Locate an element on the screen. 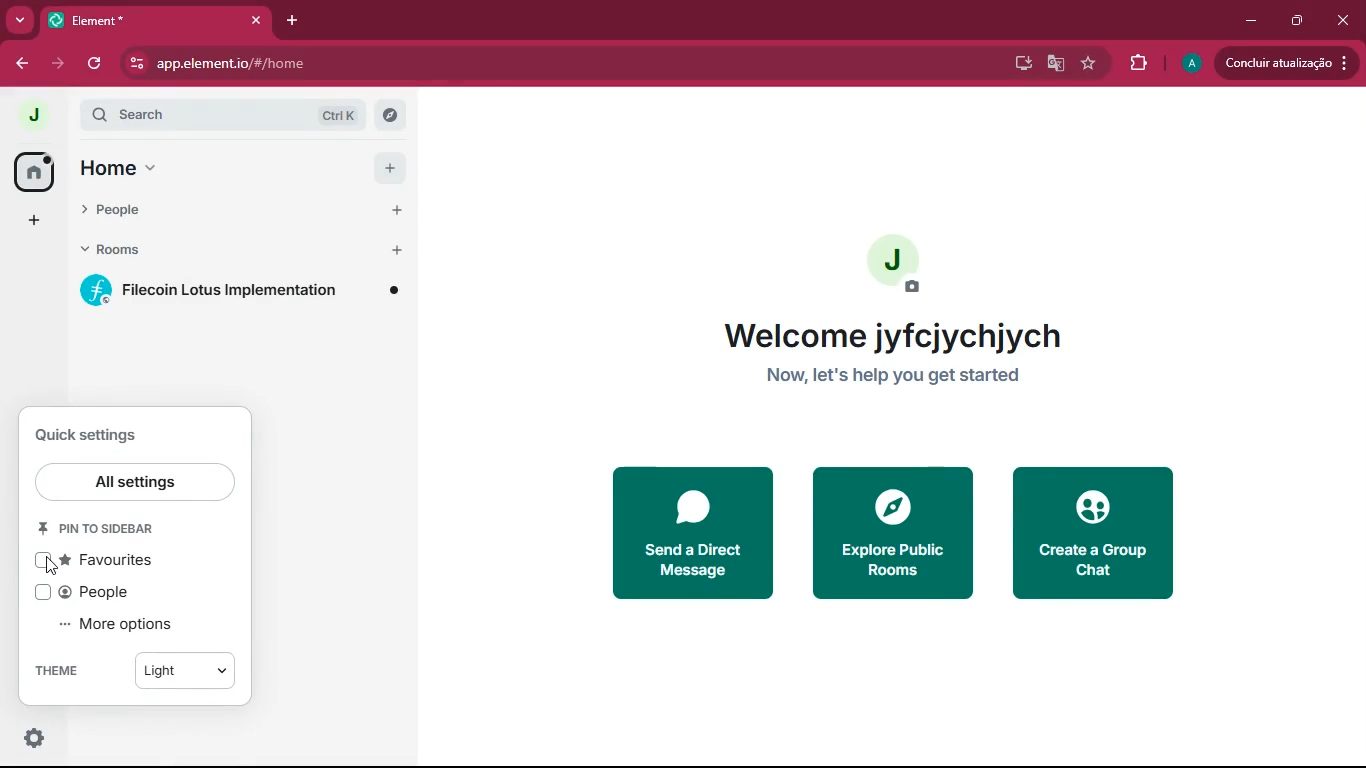 The width and height of the screenshot is (1366, 768). profile is located at coordinates (1190, 64).